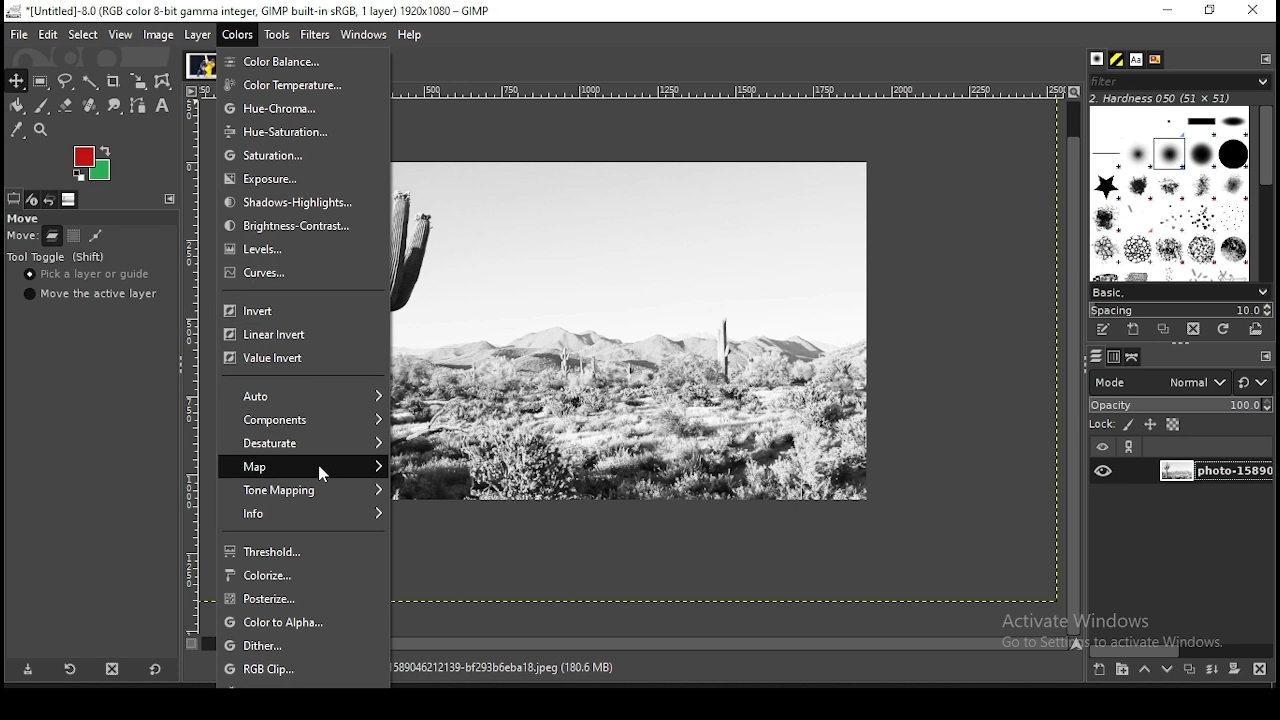 The width and height of the screenshot is (1280, 720). What do you see at coordinates (362, 34) in the screenshot?
I see `windows` at bounding box center [362, 34].